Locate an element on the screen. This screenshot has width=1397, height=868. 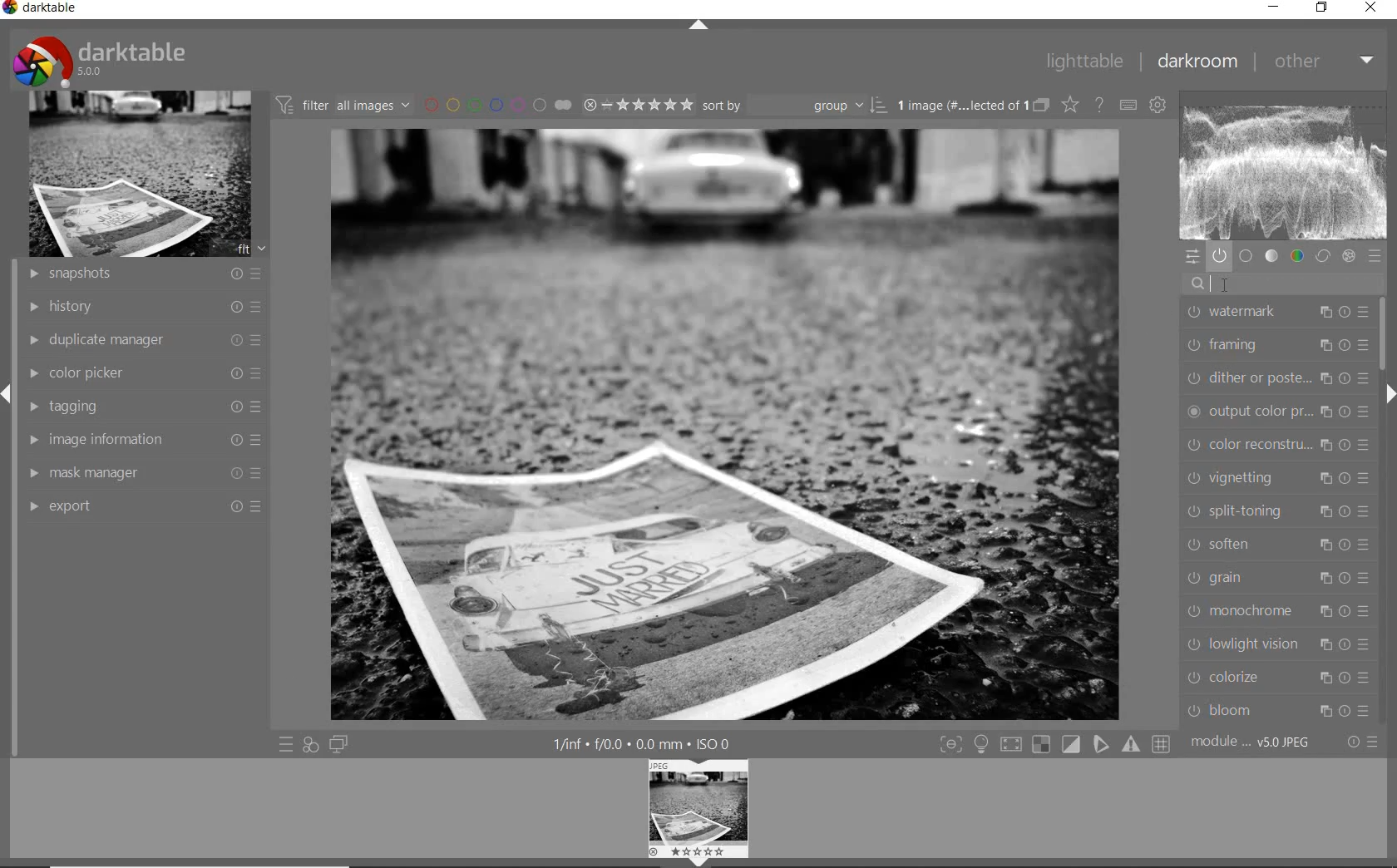
minimize is located at coordinates (1274, 6).